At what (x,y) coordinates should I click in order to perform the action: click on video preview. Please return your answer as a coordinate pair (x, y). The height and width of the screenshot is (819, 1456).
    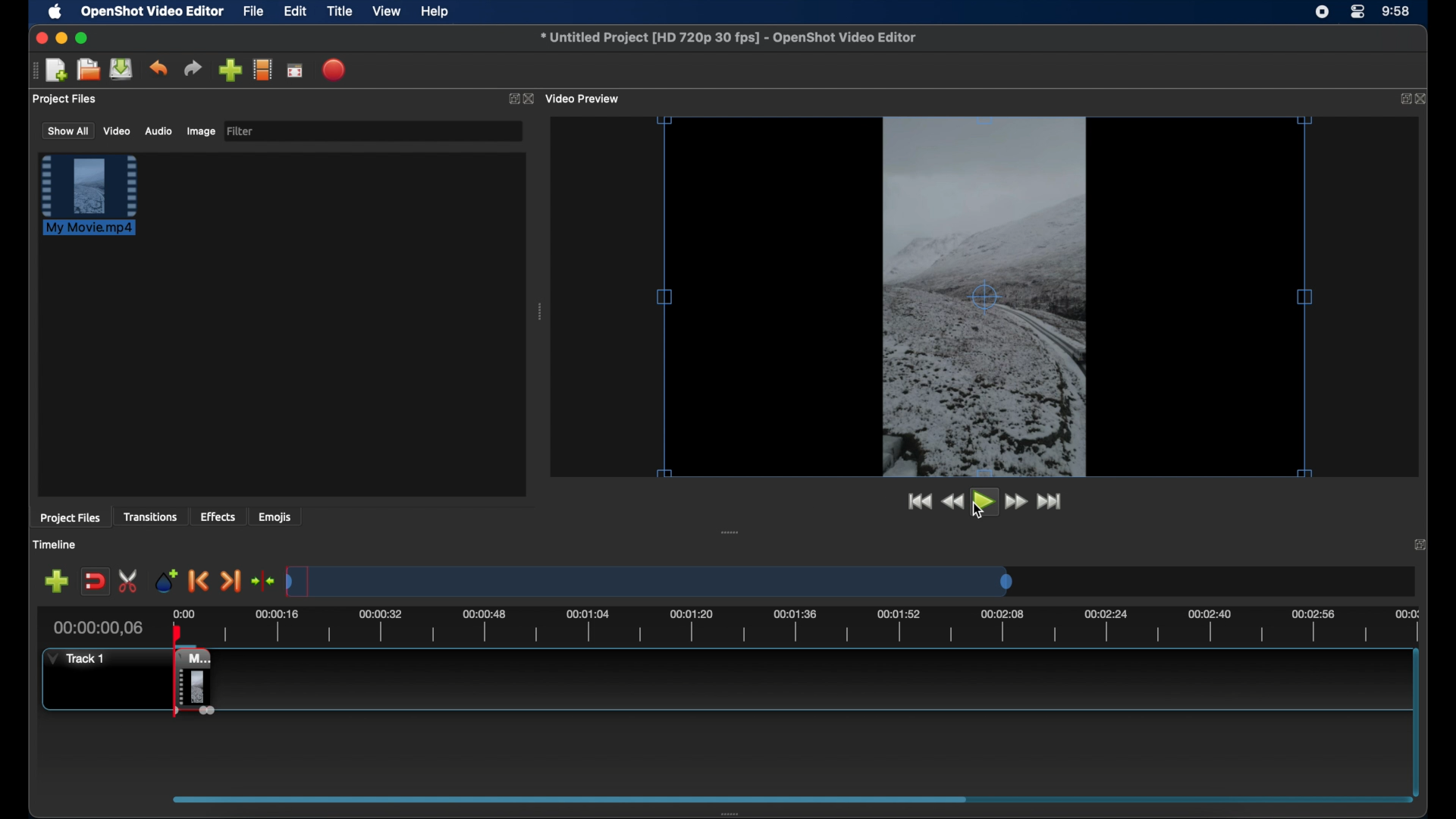
    Looking at the image, I should click on (985, 294).